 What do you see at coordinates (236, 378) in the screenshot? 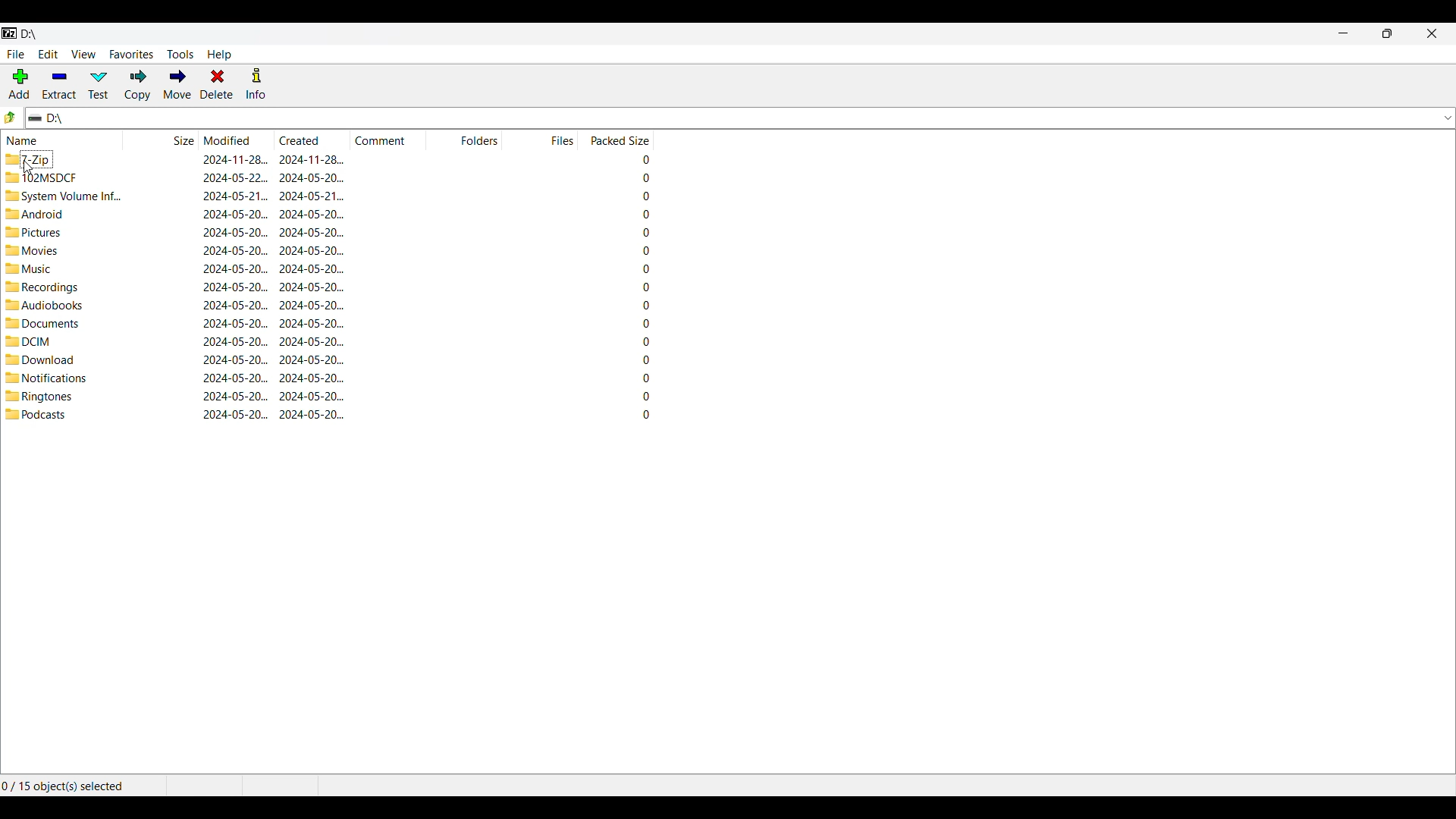
I see `modified date & time` at bounding box center [236, 378].